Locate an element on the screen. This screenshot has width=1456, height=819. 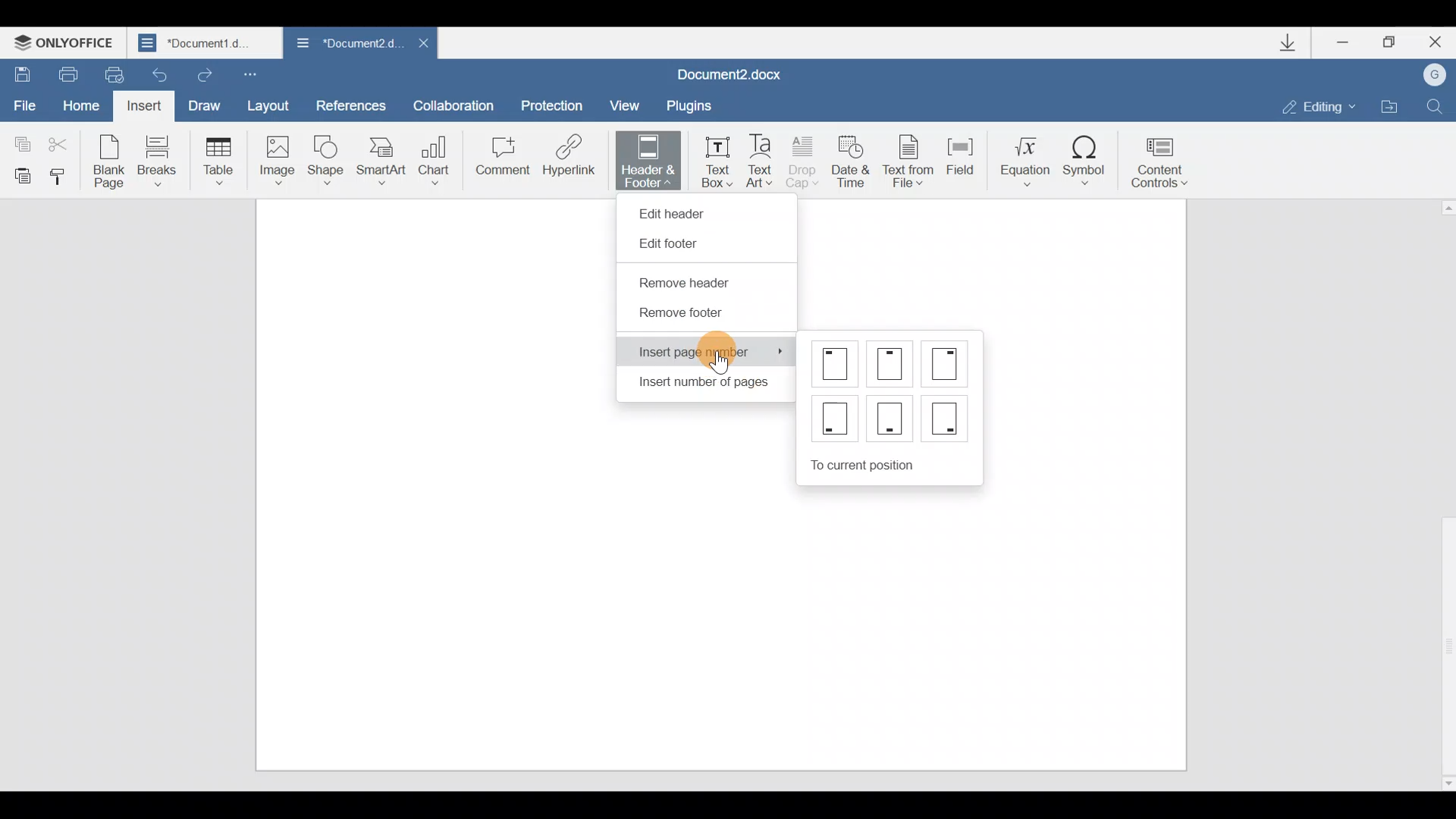
SmartArt is located at coordinates (381, 160).